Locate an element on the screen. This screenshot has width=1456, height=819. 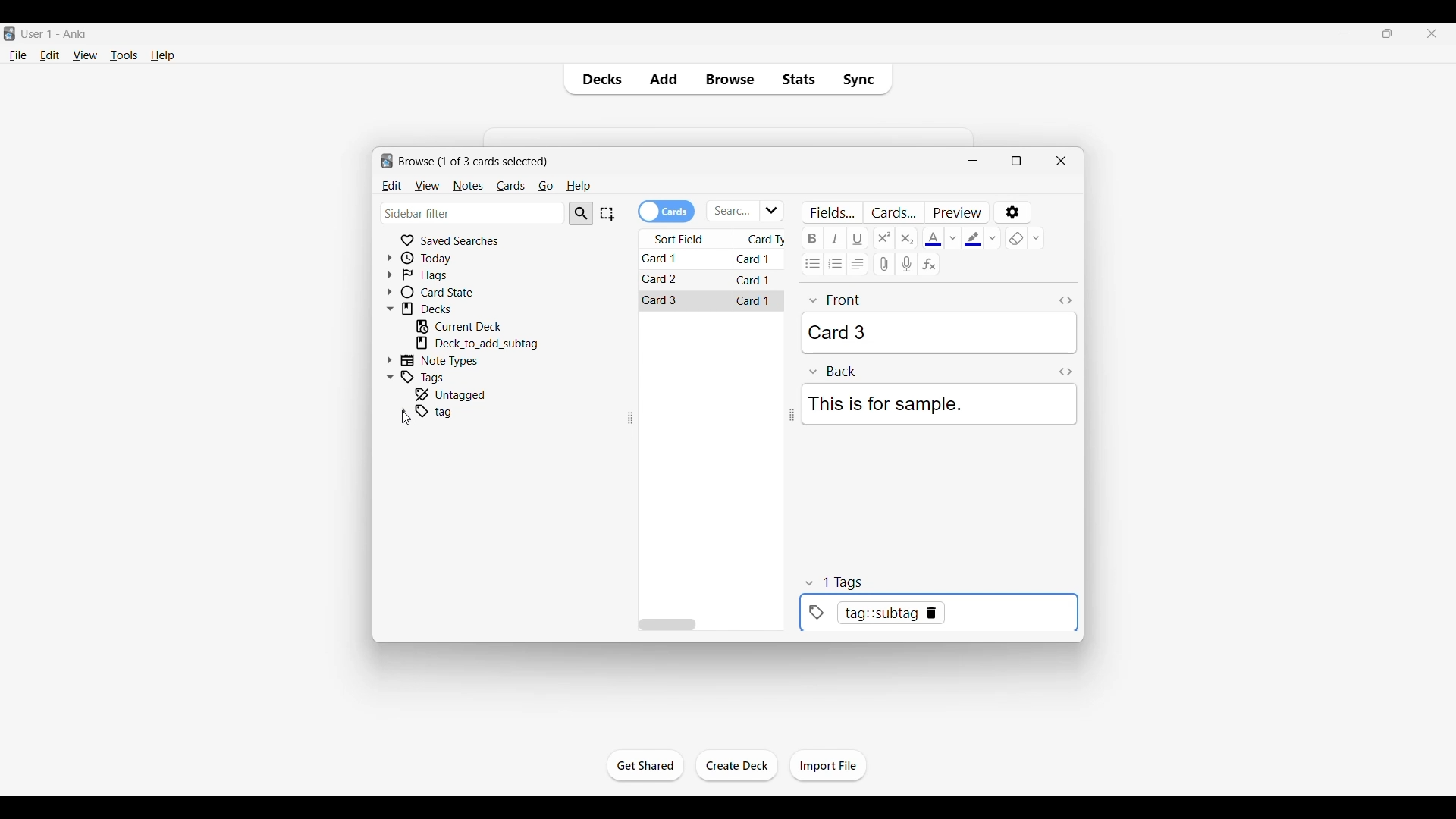
Select is located at coordinates (607, 214).